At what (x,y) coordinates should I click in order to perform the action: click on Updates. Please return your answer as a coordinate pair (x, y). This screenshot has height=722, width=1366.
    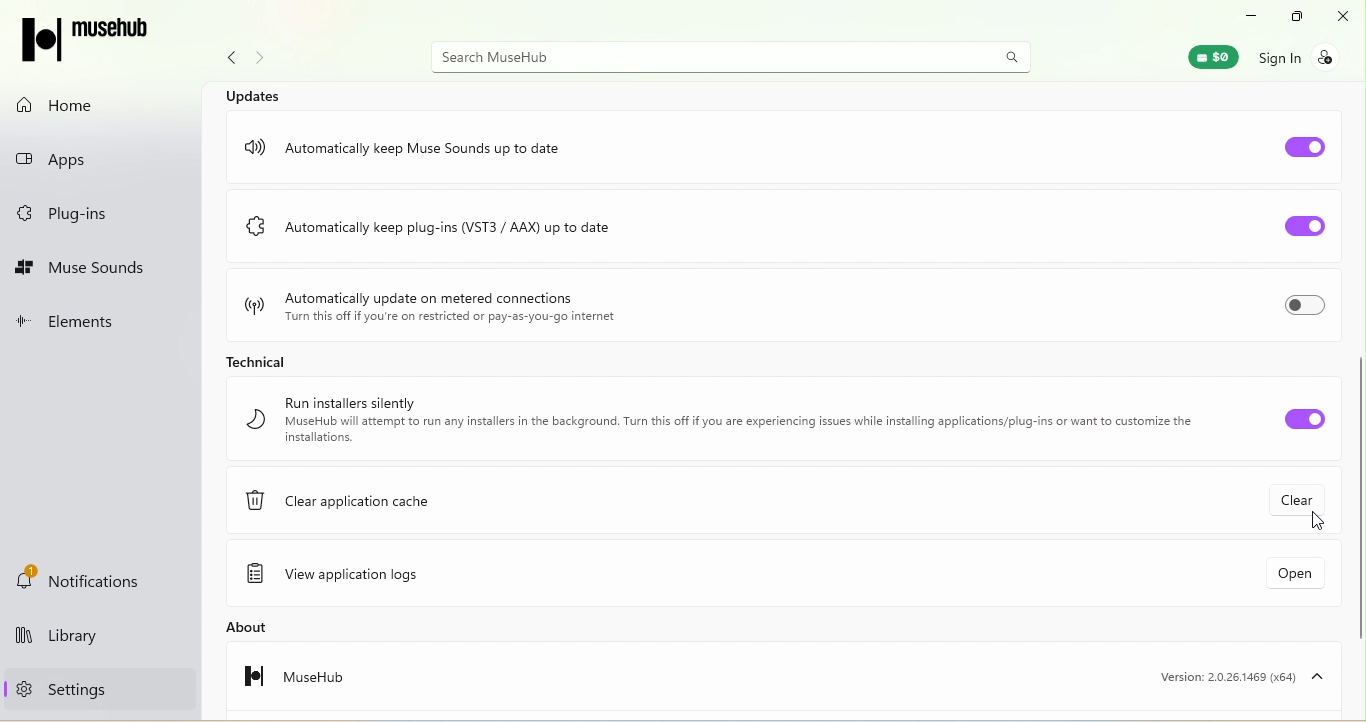
    Looking at the image, I should click on (257, 94).